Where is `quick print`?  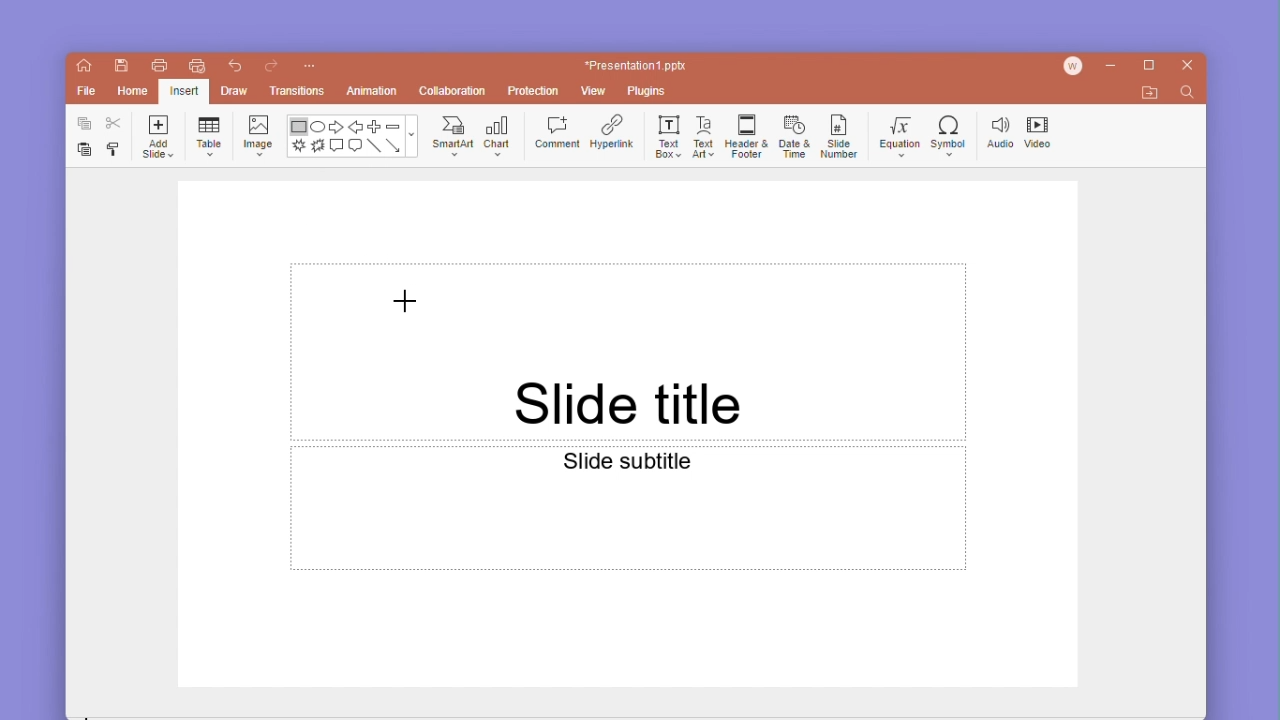 quick print is located at coordinates (194, 66).